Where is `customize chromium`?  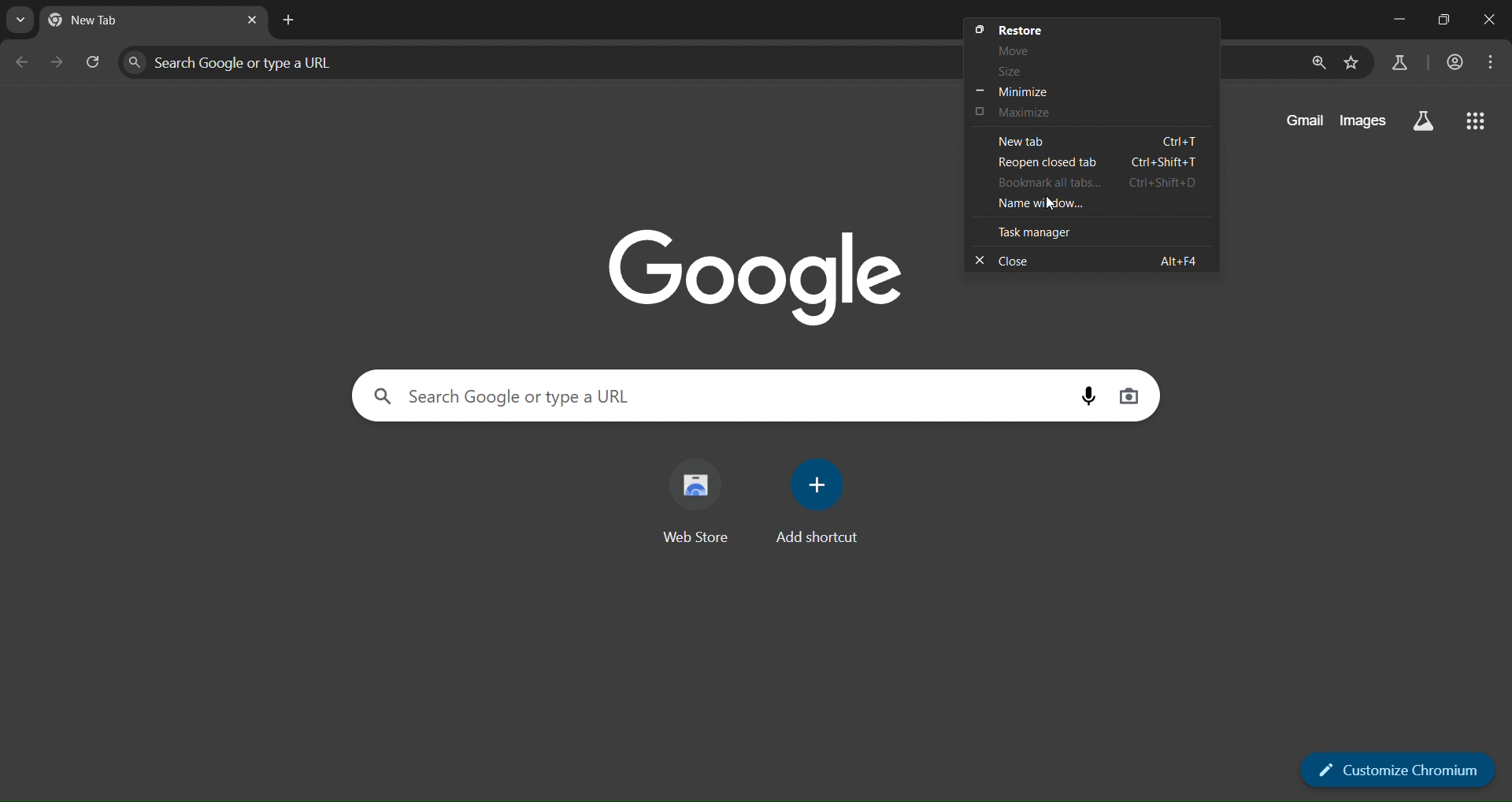 customize chromium is located at coordinates (1399, 768).